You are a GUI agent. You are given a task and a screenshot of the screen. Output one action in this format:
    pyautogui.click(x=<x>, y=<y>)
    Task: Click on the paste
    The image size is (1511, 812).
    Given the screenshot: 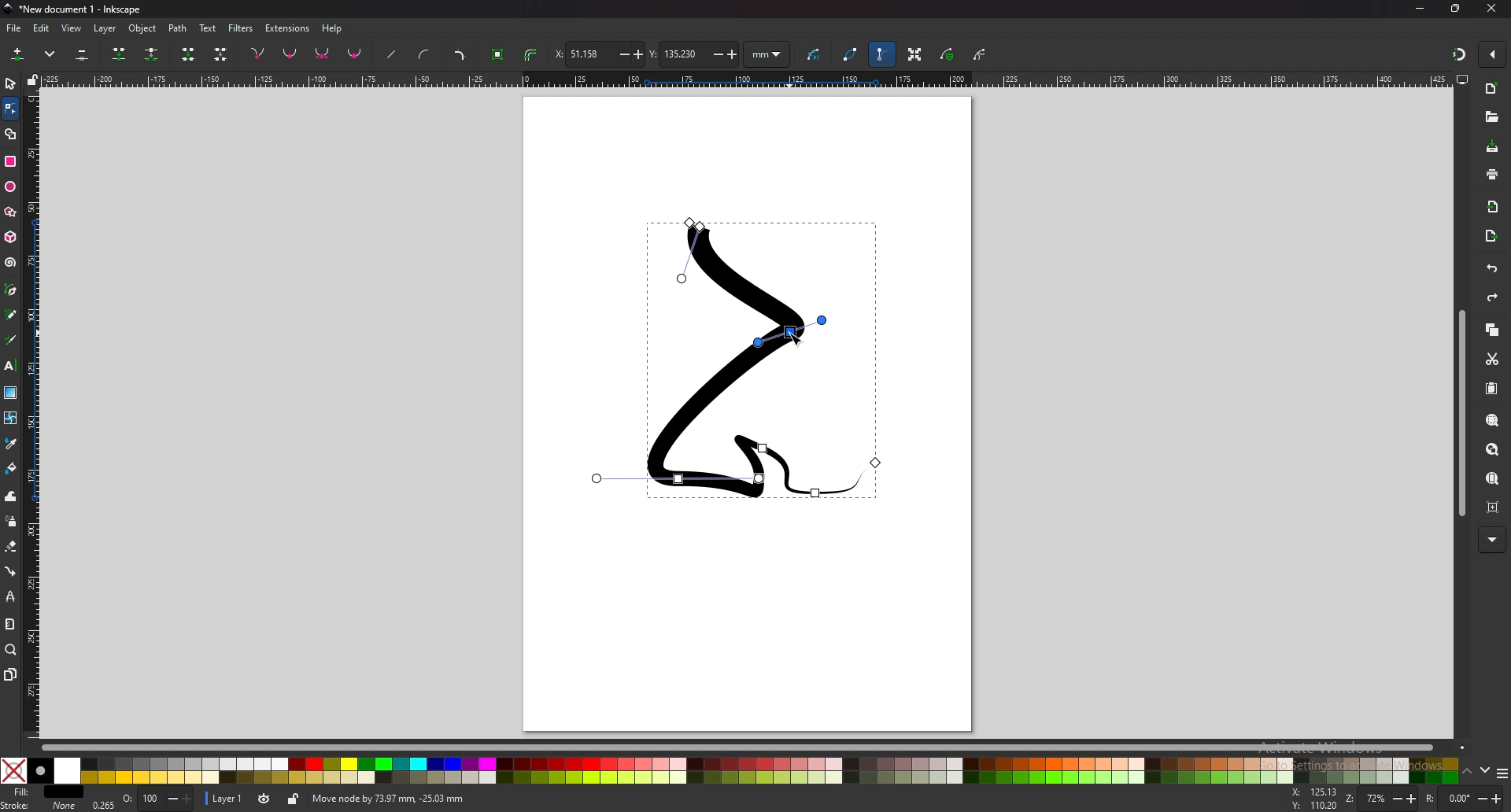 What is the action you would take?
    pyautogui.click(x=1491, y=389)
    